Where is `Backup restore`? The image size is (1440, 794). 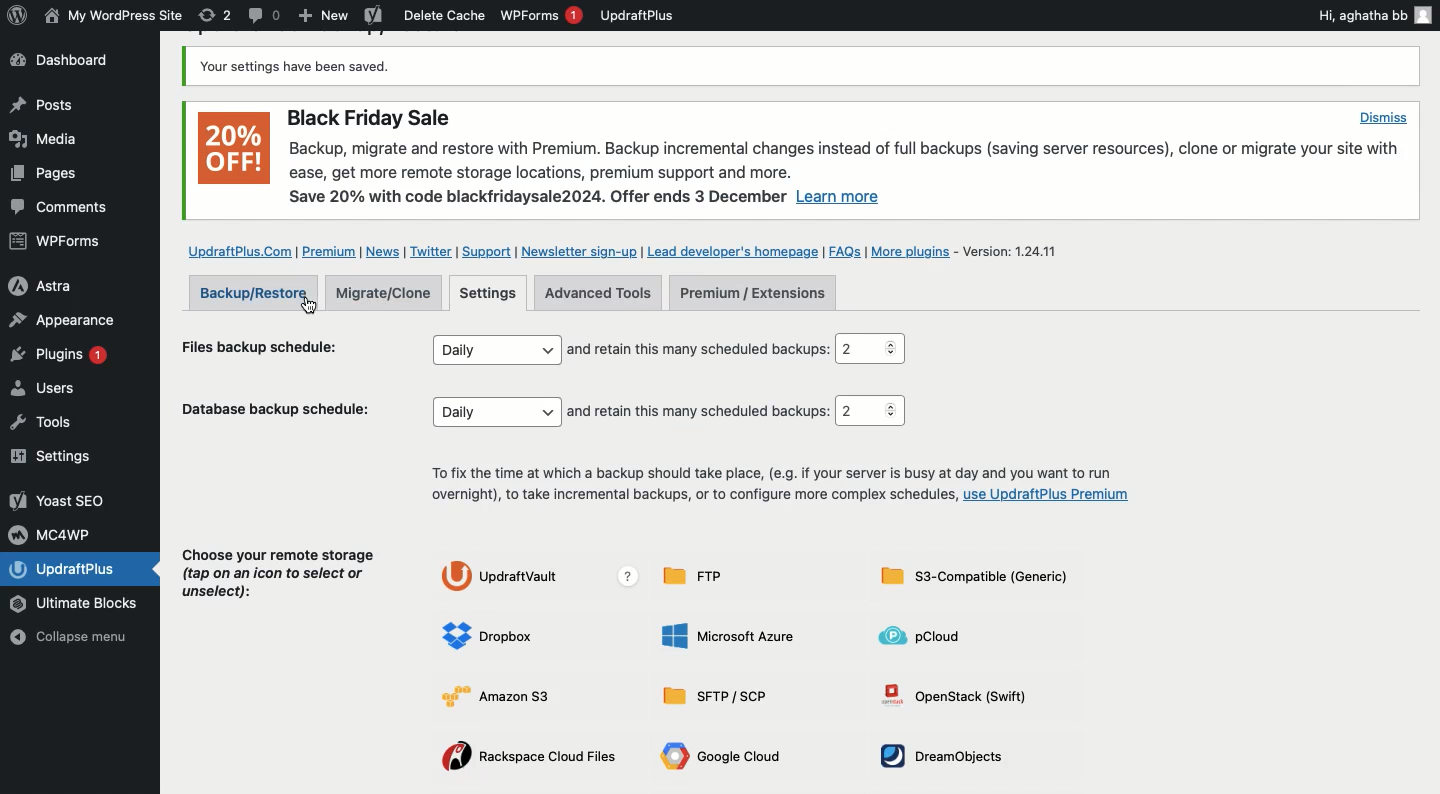
Backup restore is located at coordinates (253, 292).